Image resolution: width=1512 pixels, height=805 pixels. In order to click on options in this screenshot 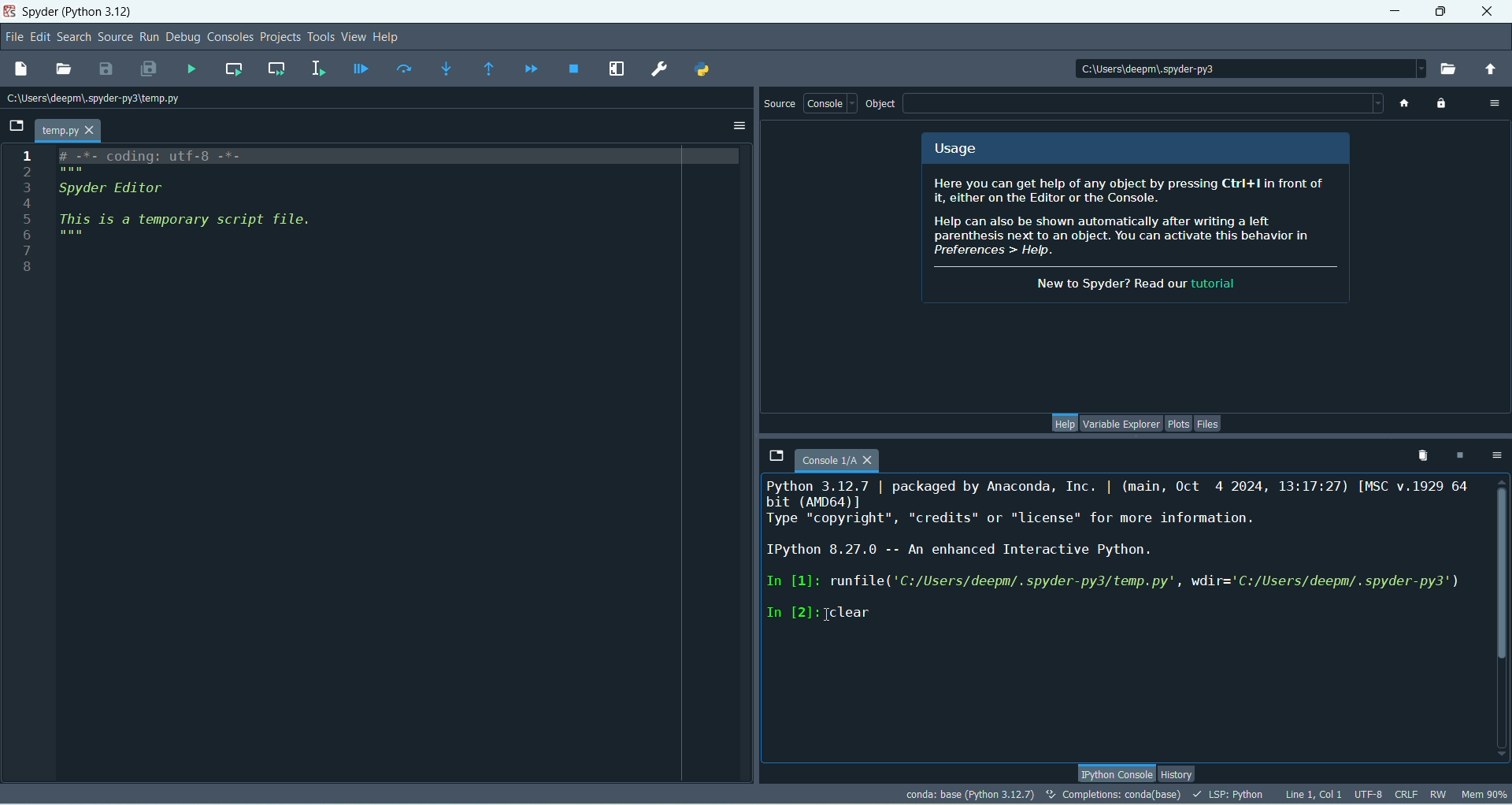, I will do `click(1496, 102)`.